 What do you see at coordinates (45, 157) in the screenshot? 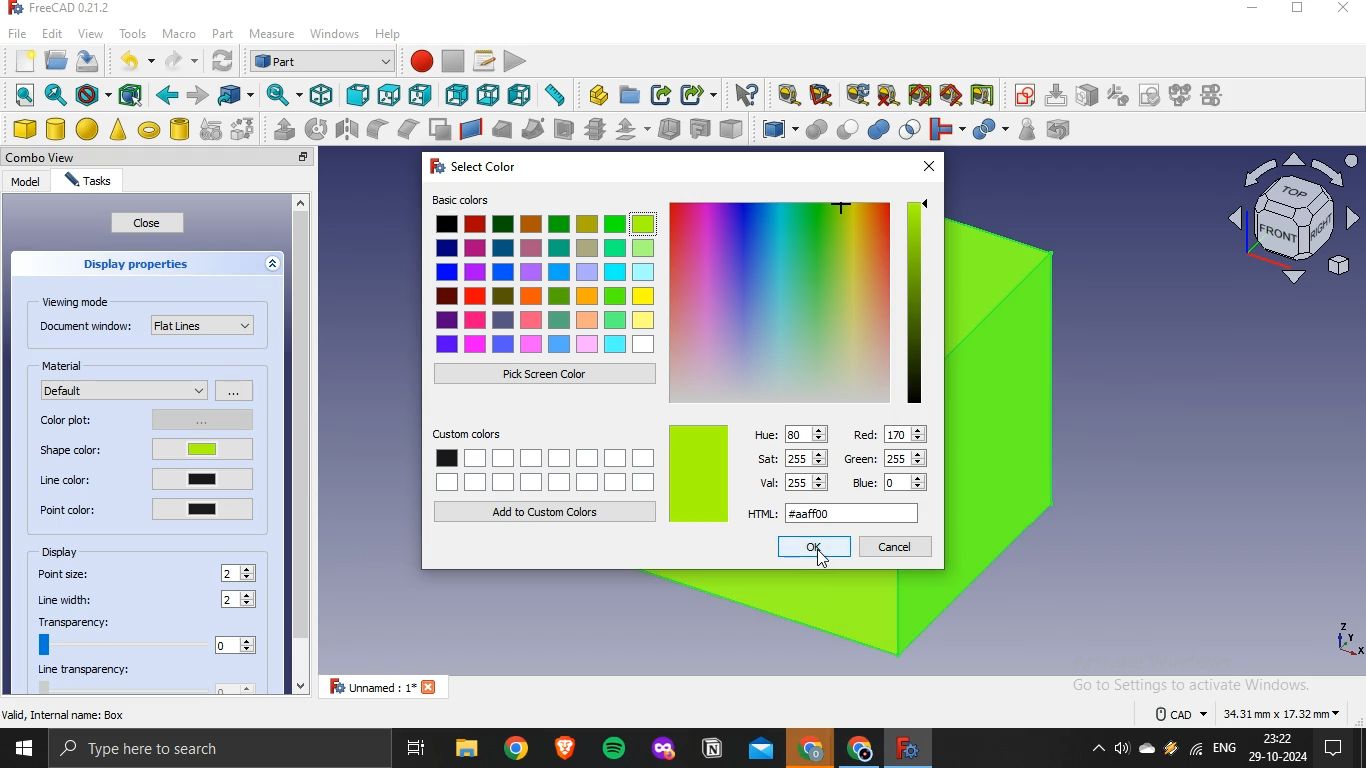
I see `combo view` at bounding box center [45, 157].